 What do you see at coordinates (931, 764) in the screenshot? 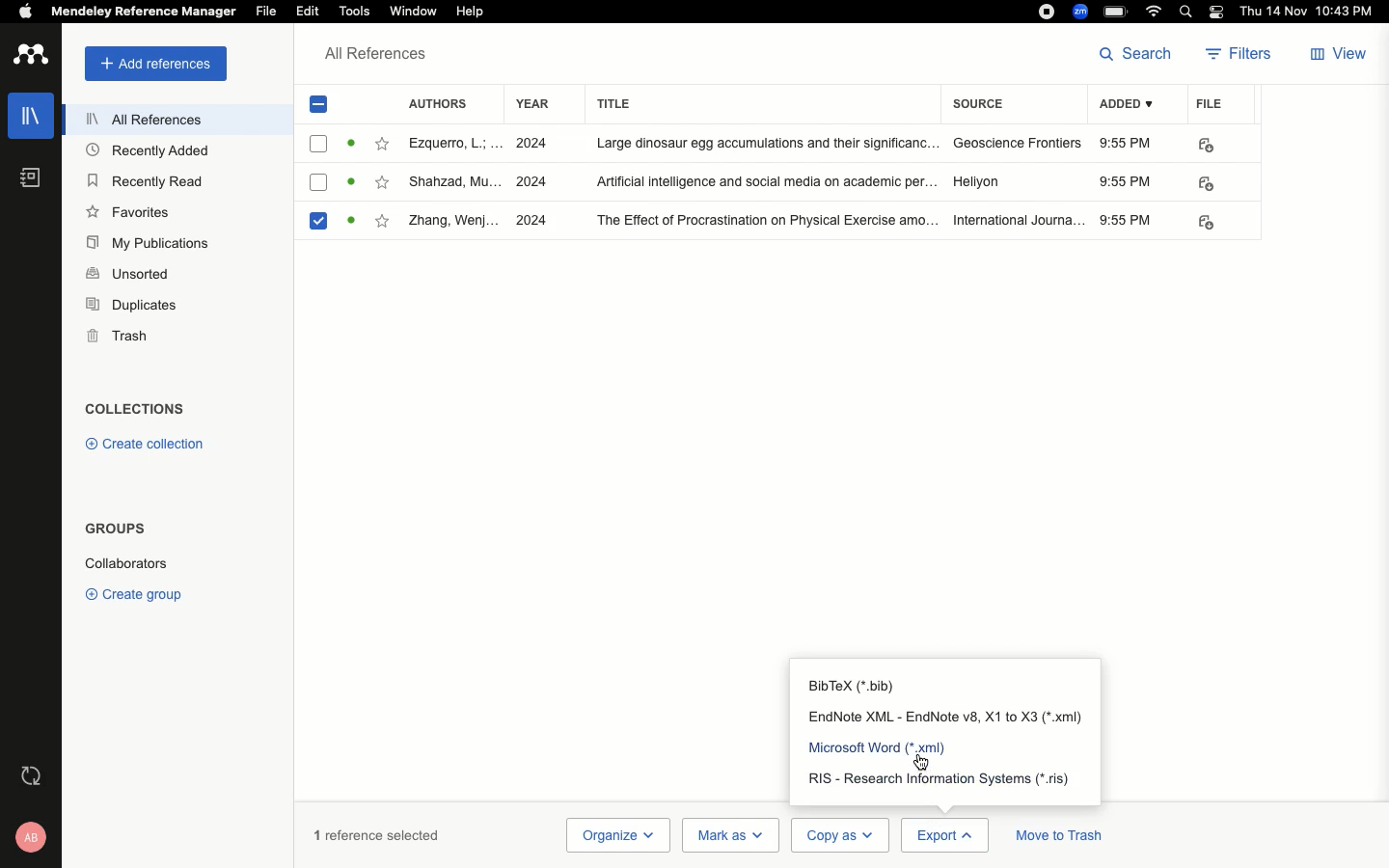
I see `cursor` at bounding box center [931, 764].